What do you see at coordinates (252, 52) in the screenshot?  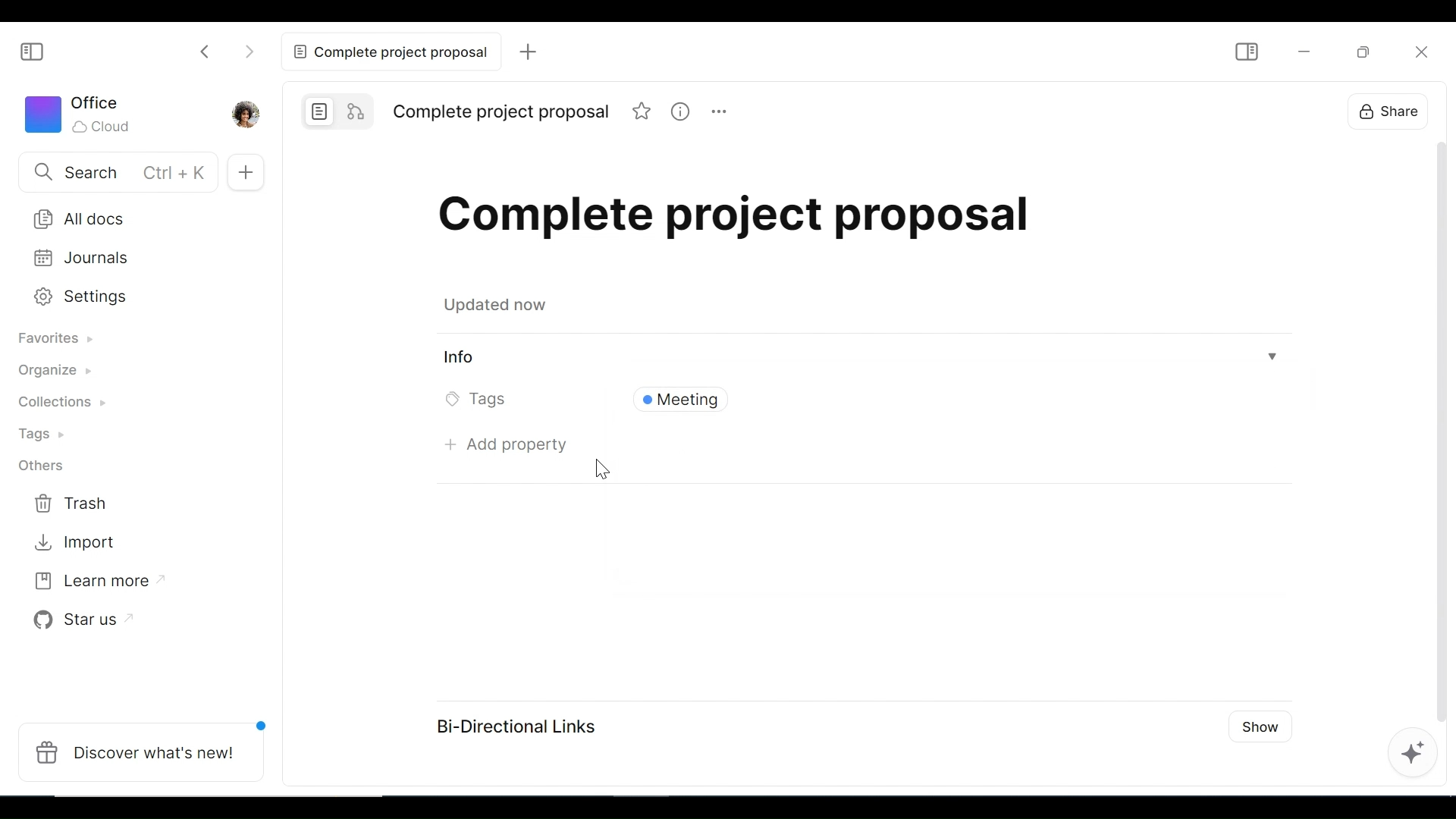 I see `Click to go forward` at bounding box center [252, 52].